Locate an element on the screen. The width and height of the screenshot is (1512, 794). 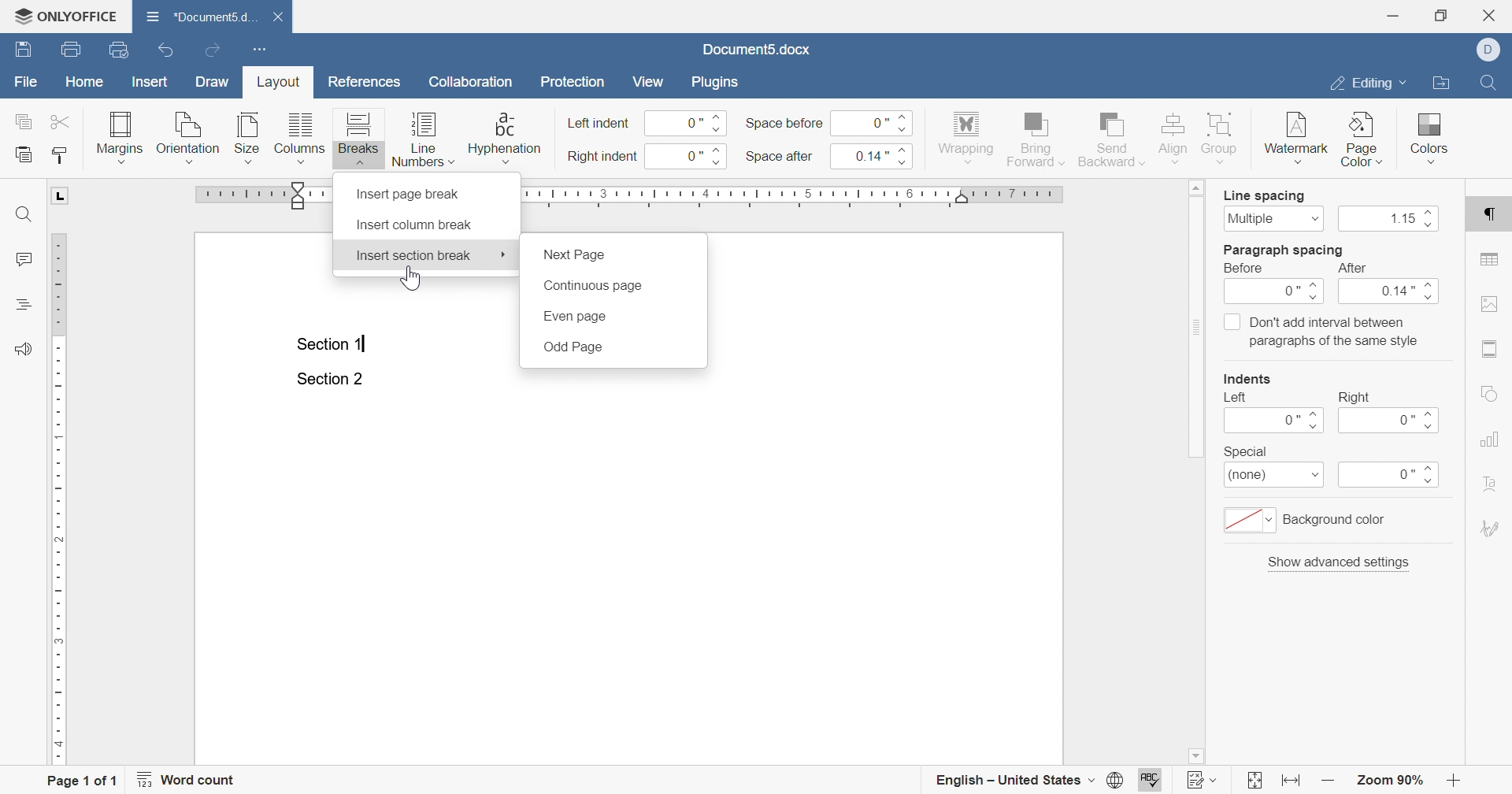
redo is located at coordinates (213, 50).